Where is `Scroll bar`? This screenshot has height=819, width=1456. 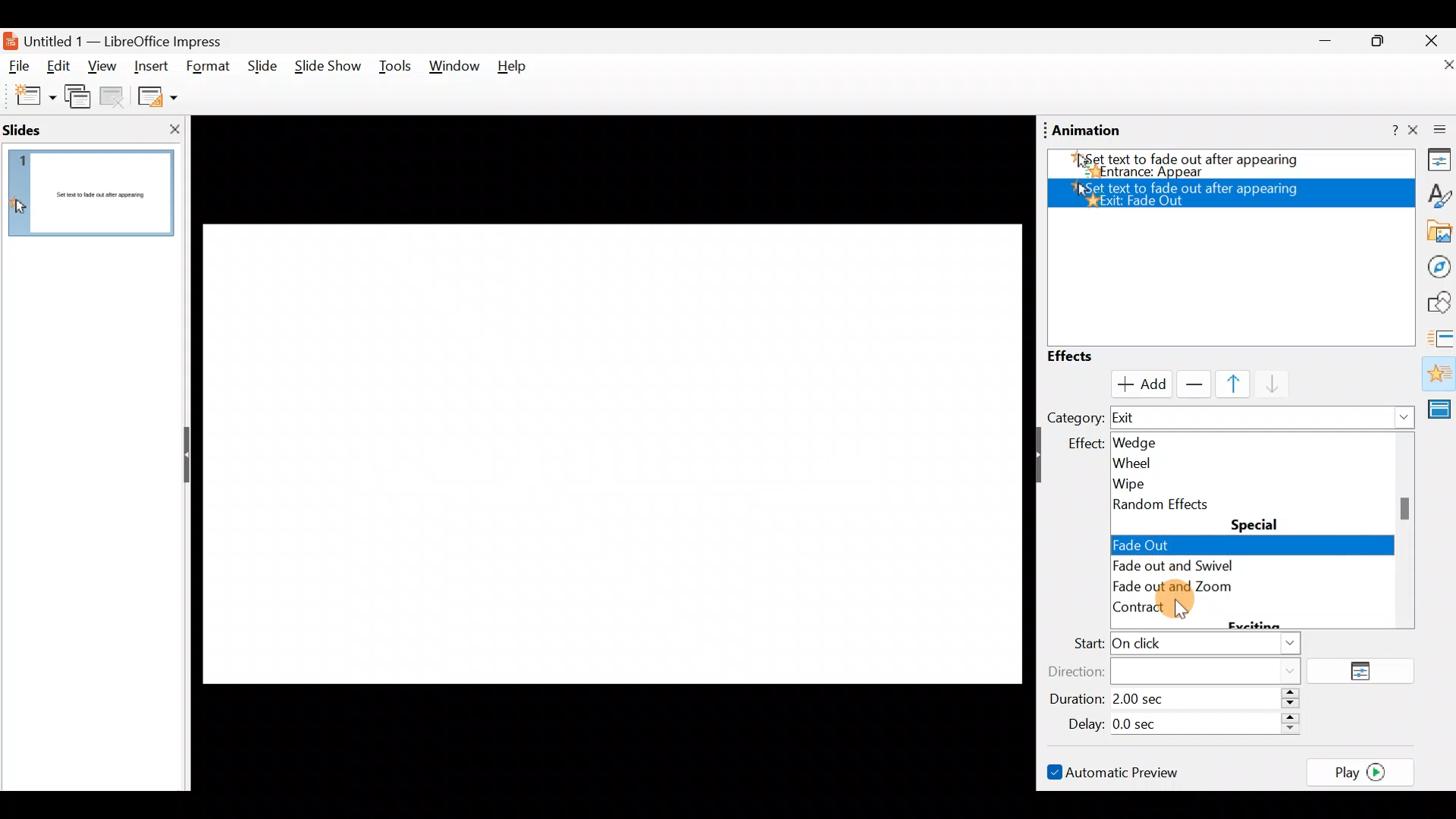
Scroll bar is located at coordinates (1023, 444).